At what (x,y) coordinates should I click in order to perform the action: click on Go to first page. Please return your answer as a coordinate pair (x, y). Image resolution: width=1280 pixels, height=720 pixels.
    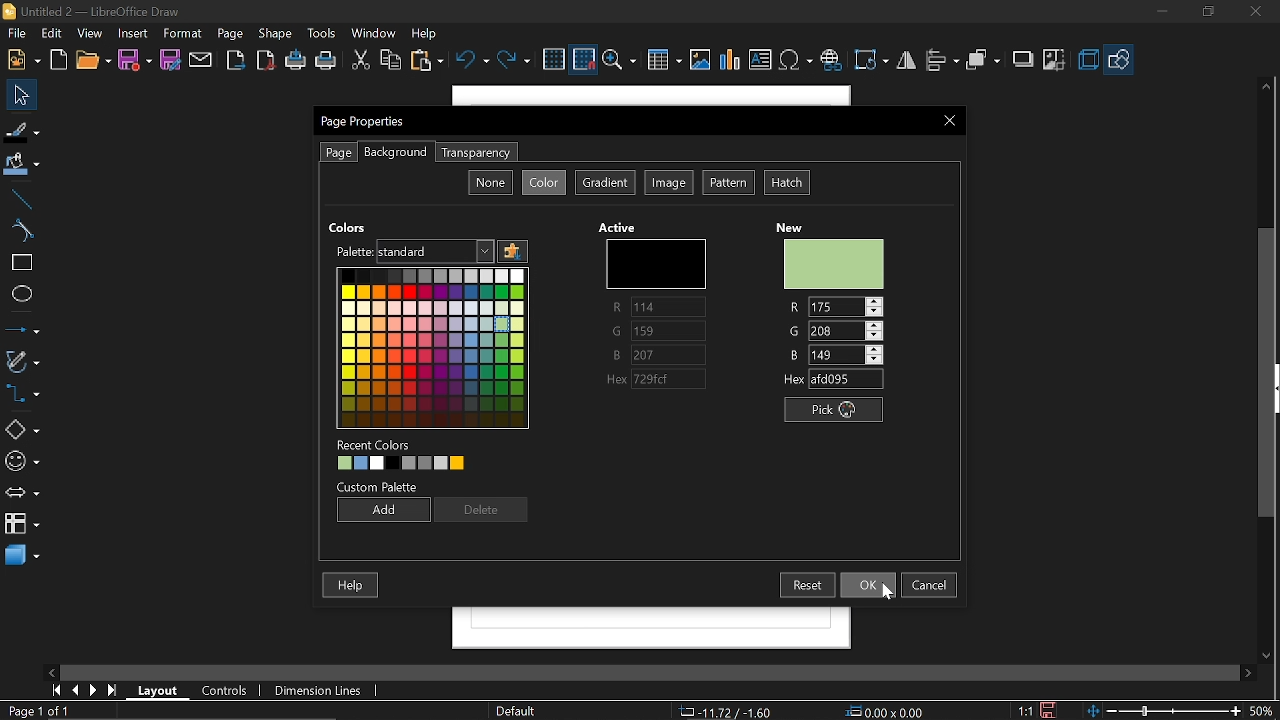
    Looking at the image, I should click on (58, 691).